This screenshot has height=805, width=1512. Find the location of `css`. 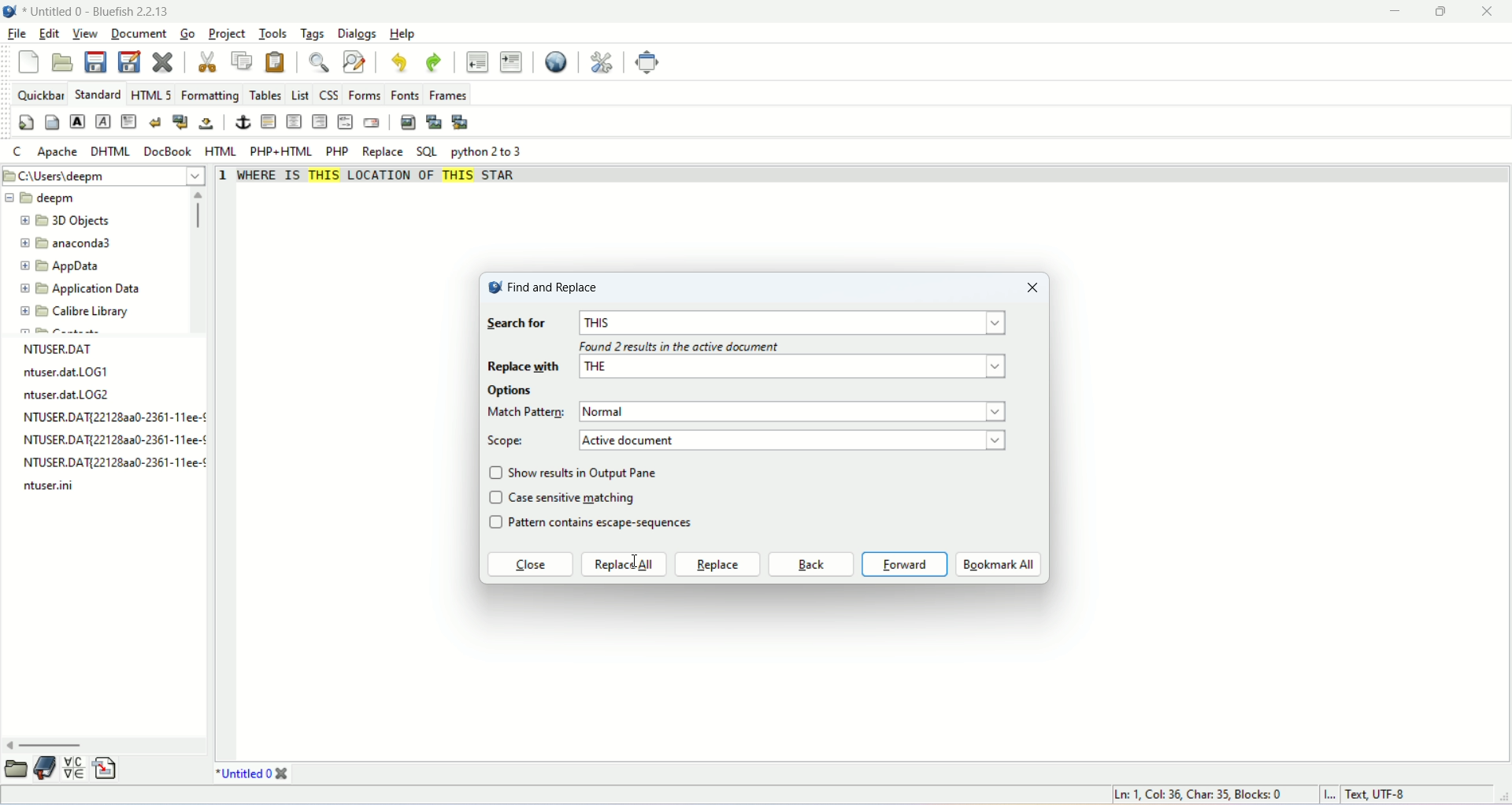

css is located at coordinates (328, 95).